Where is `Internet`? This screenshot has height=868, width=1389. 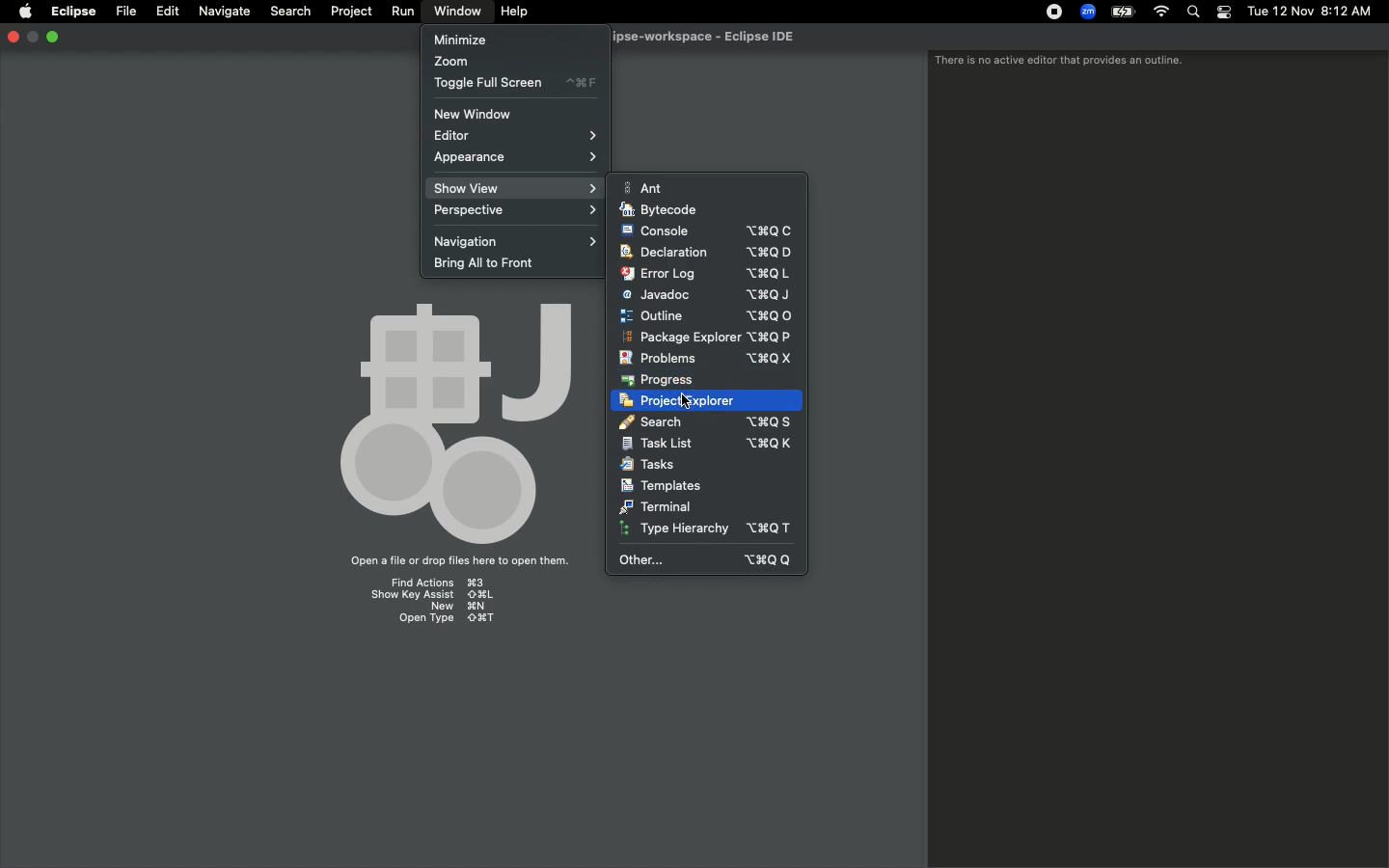 Internet is located at coordinates (1159, 13).